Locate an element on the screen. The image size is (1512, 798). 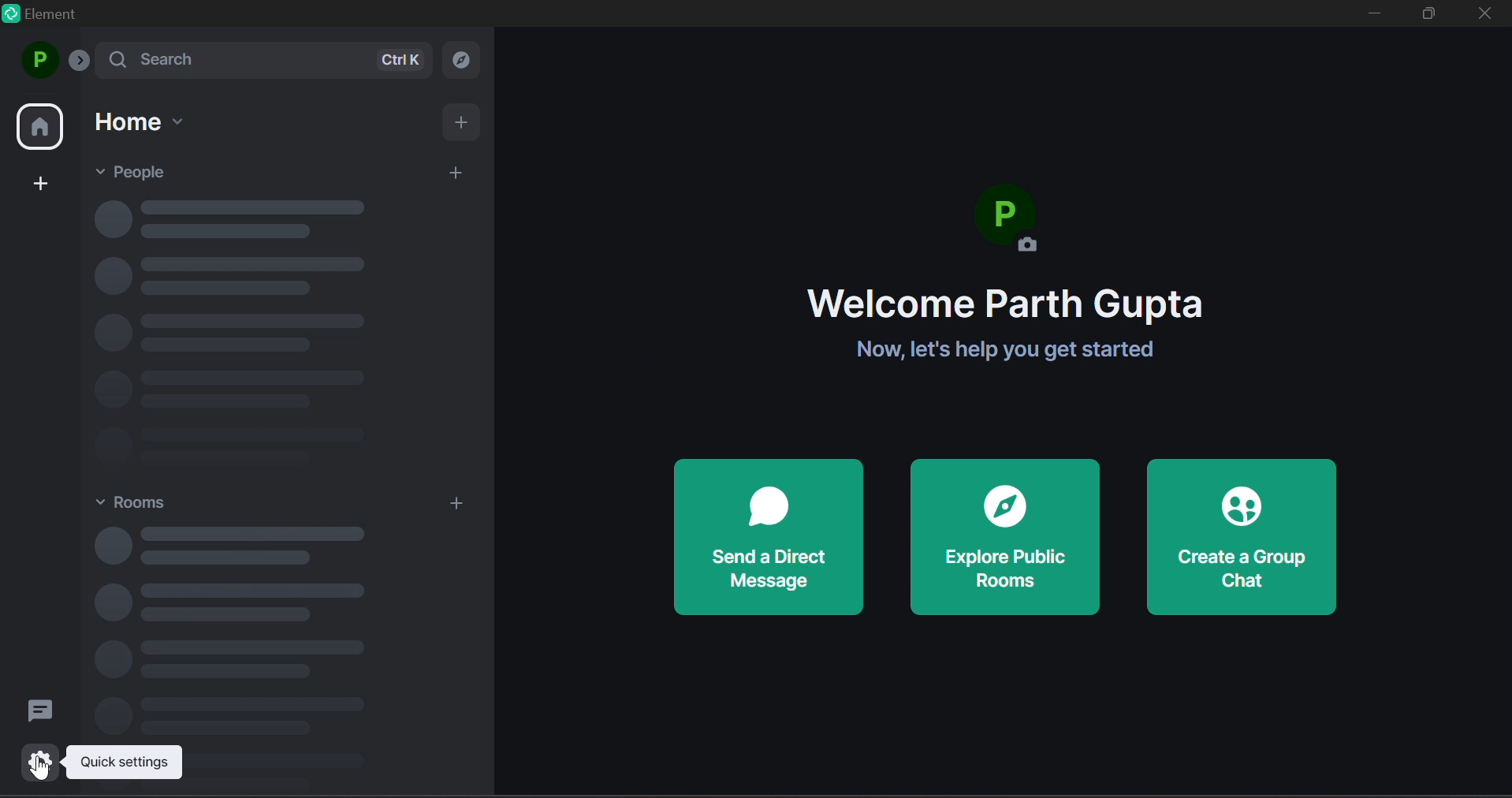
add is located at coordinates (455, 505).